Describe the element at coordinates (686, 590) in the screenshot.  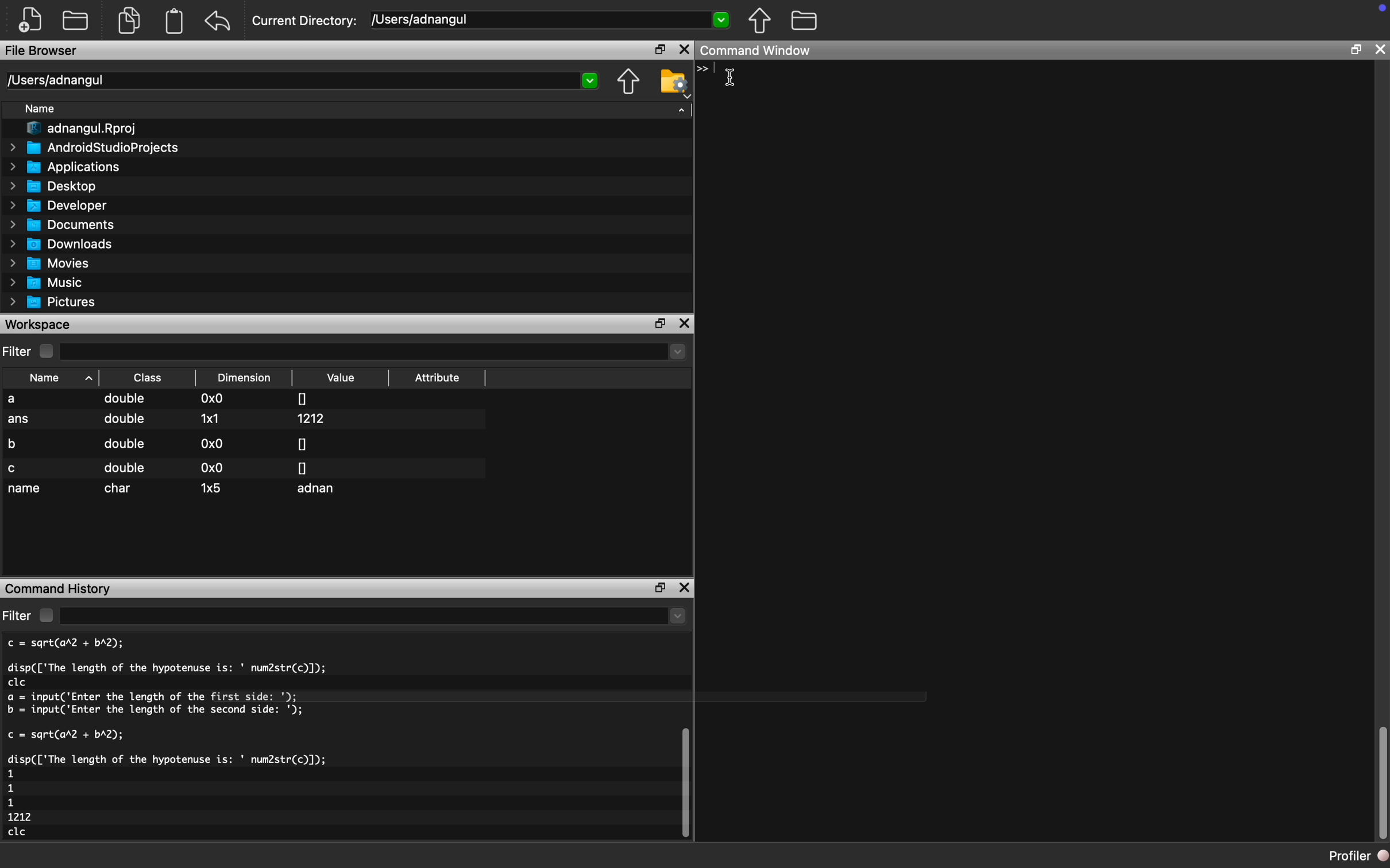
I see `close` at that location.